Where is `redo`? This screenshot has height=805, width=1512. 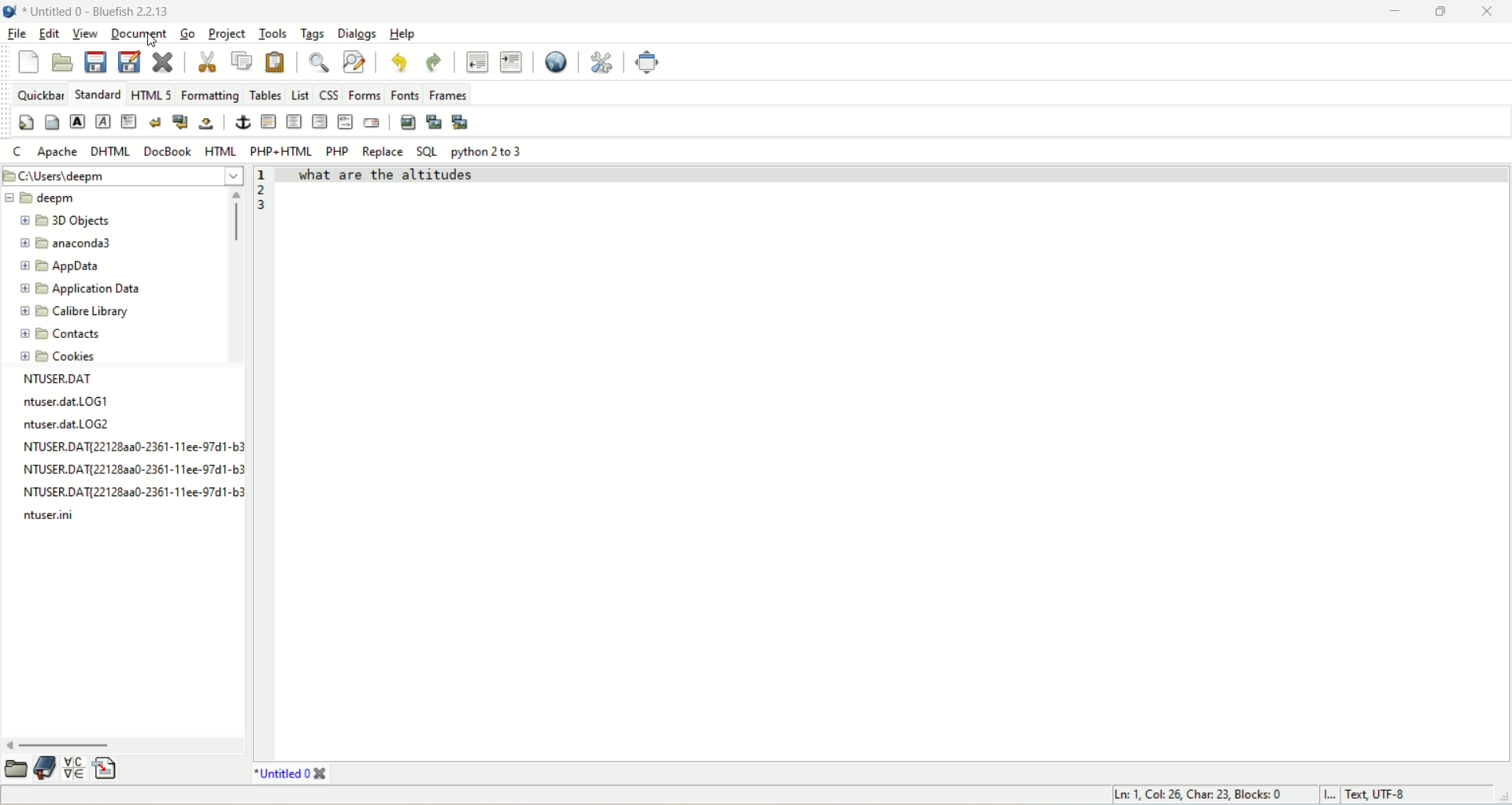 redo is located at coordinates (435, 63).